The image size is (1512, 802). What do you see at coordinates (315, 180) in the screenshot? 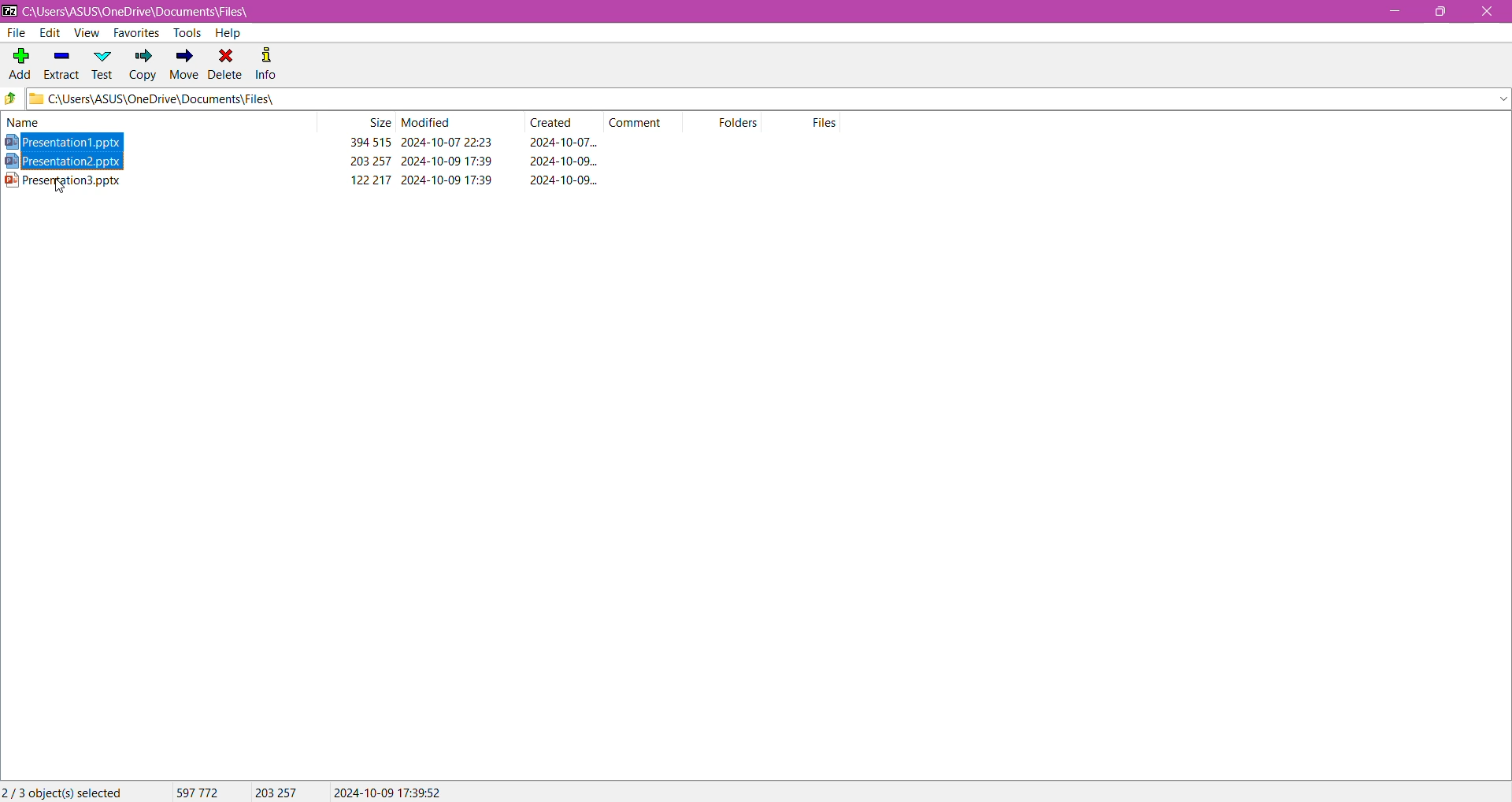
I see `Presentation3.pptx 122217 2024-10-09 17:39 2024-10-09...` at bounding box center [315, 180].